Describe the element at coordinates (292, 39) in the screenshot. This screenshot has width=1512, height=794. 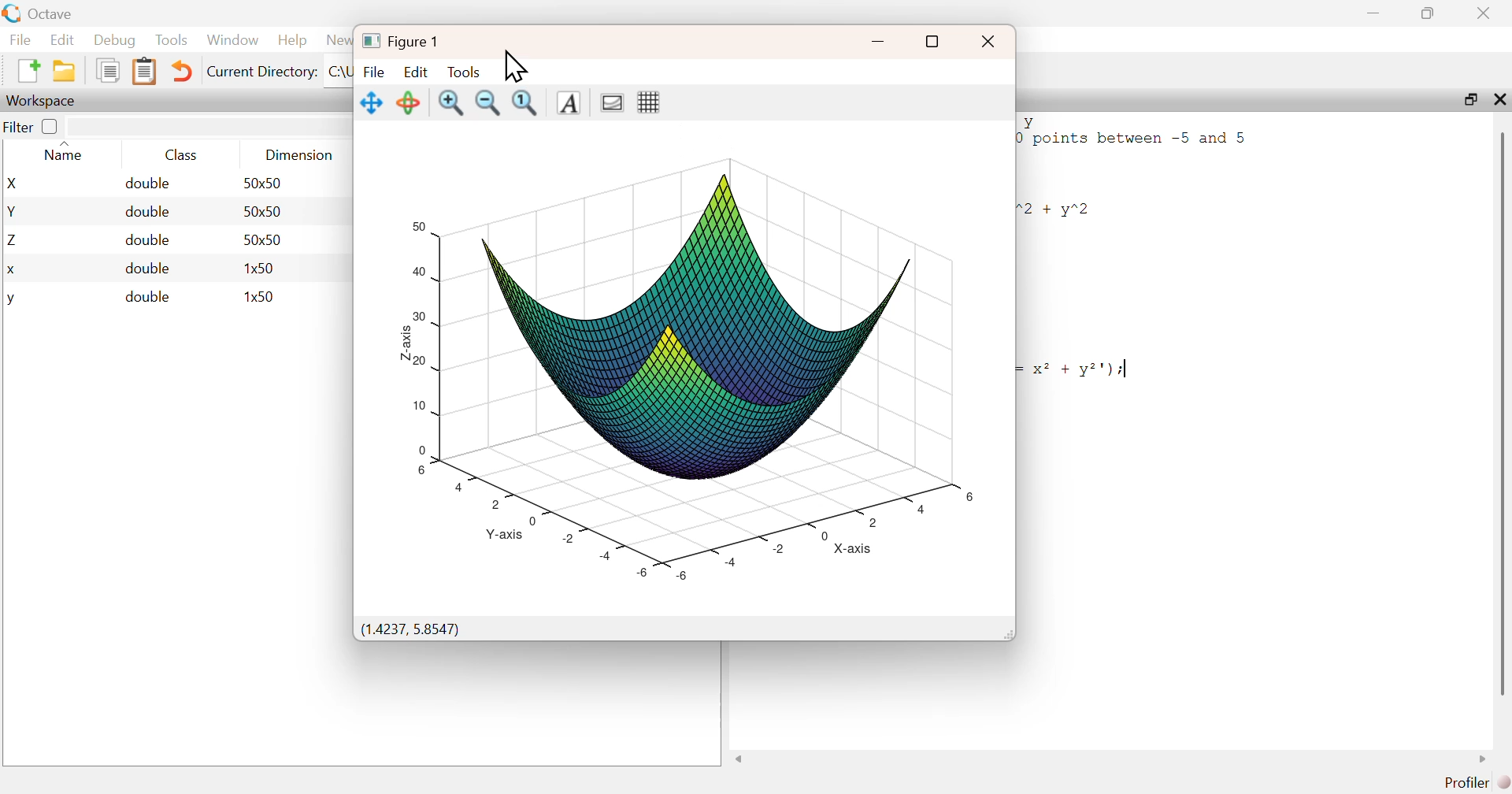
I see `Help` at that location.